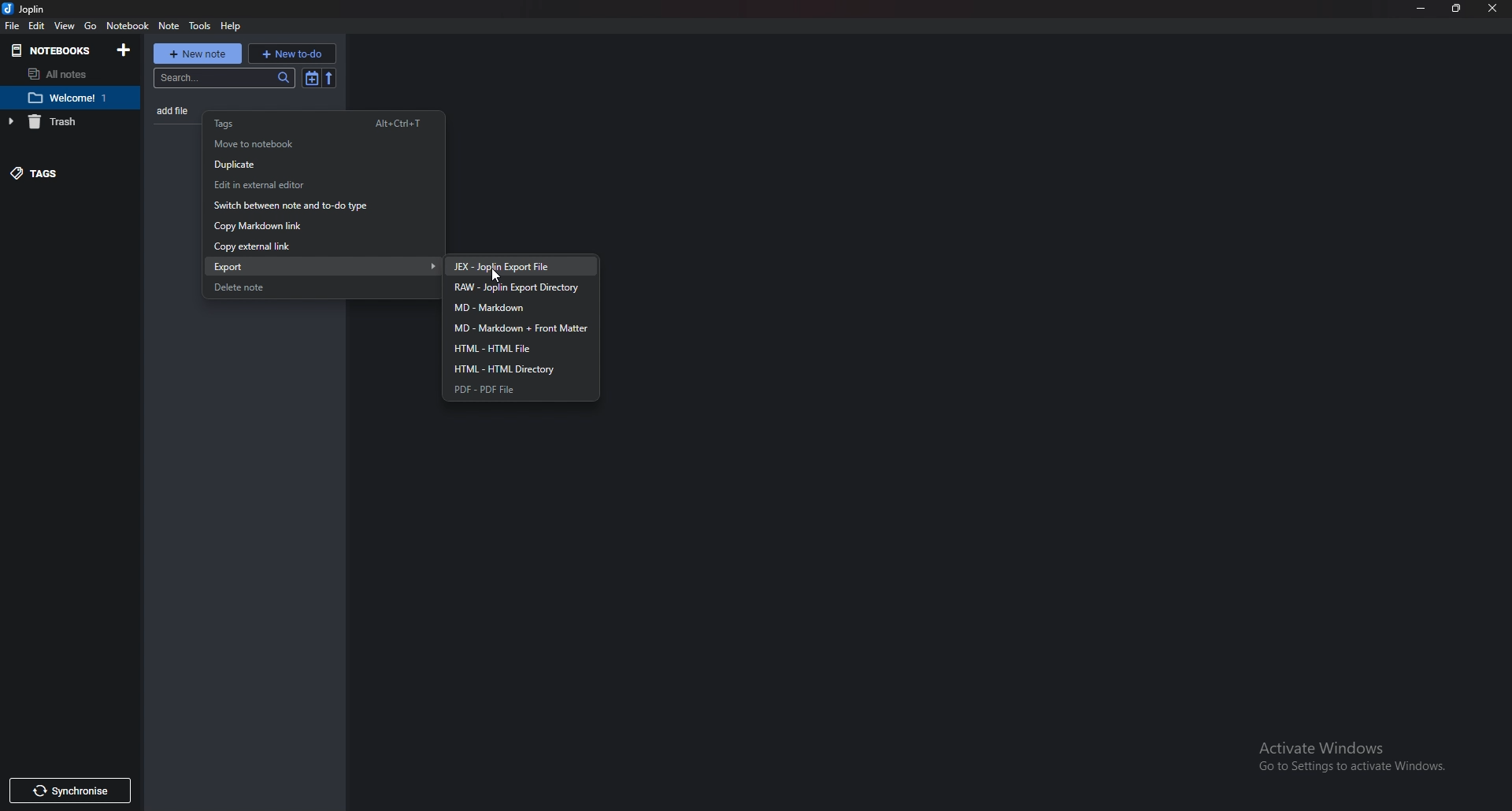 This screenshot has width=1512, height=811. Describe the element at coordinates (222, 80) in the screenshot. I see `search` at that location.